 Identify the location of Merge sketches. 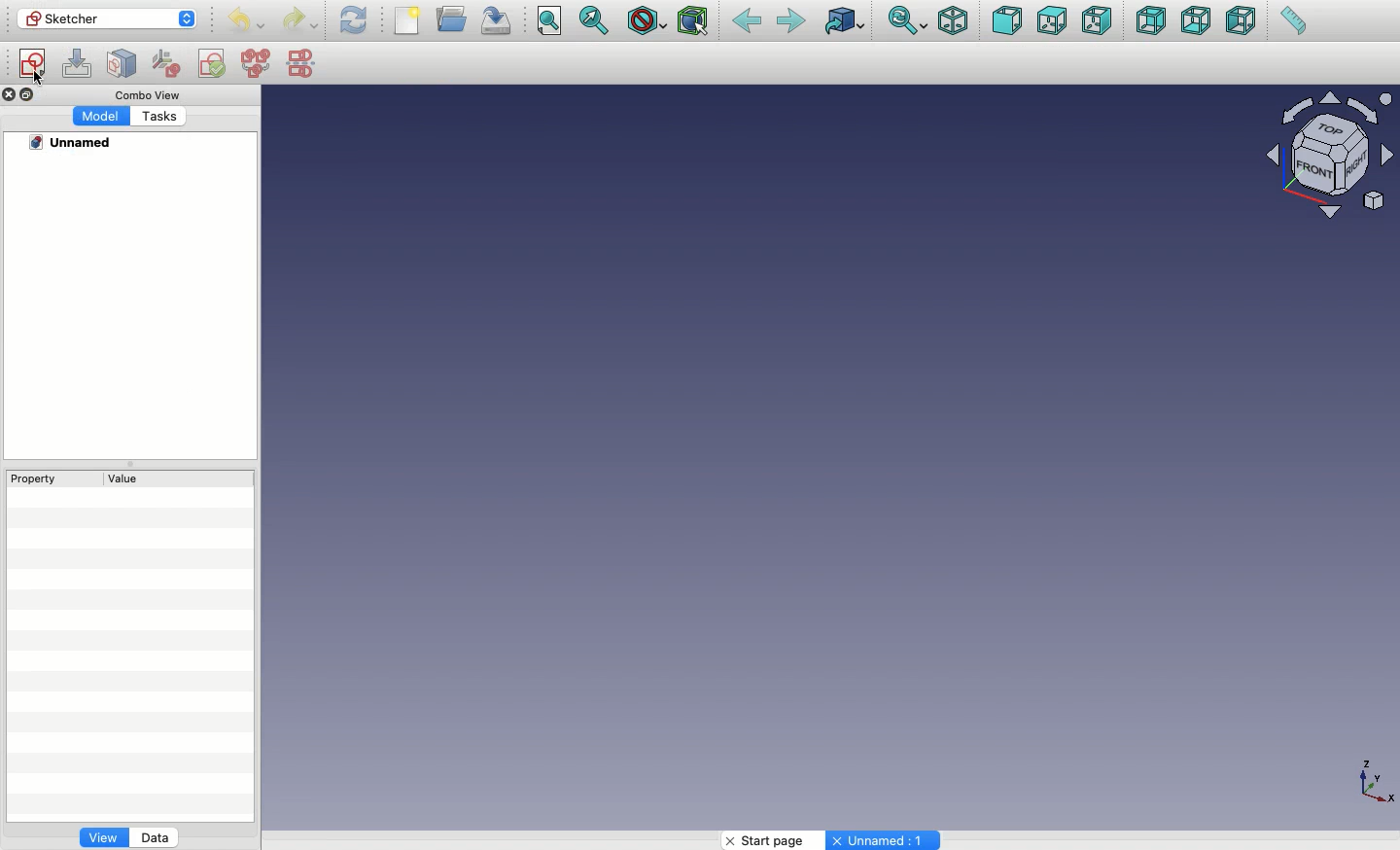
(257, 64).